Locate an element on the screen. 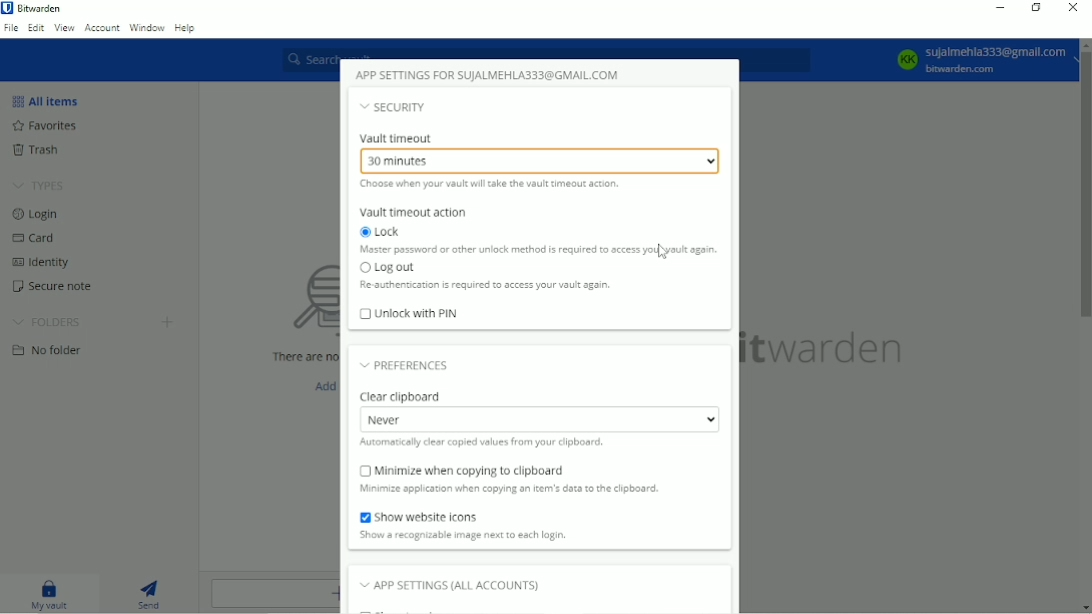 Image resolution: width=1092 pixels, height=614 pixels. Automatically clear copied values from your clipboard. is located at coordinates (485, 444).